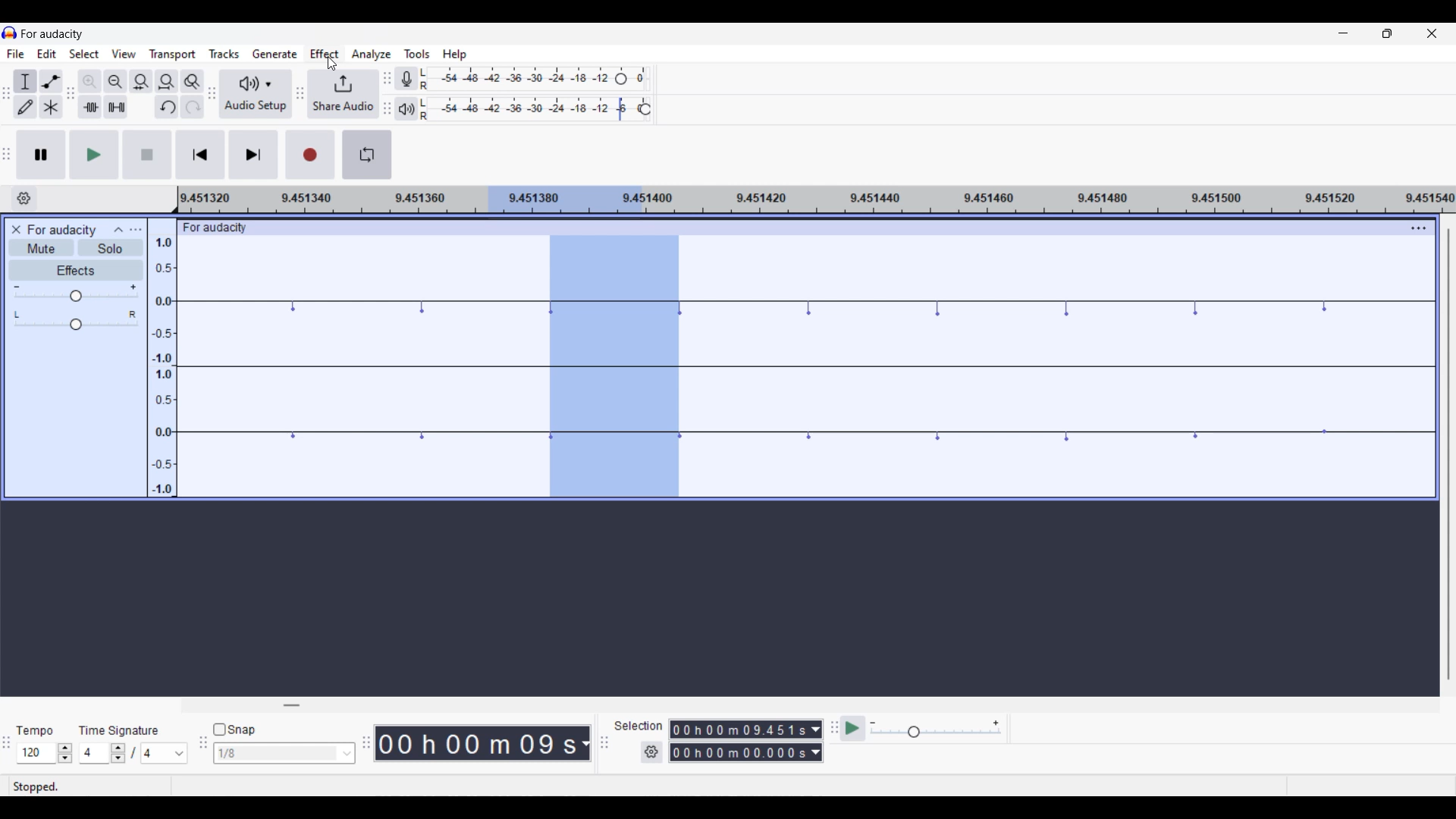 The image size is (1456, 819). What do you see at coordinates (16, 54) in the screenshot?
I see `File menu` at bounding box center [16, 54].